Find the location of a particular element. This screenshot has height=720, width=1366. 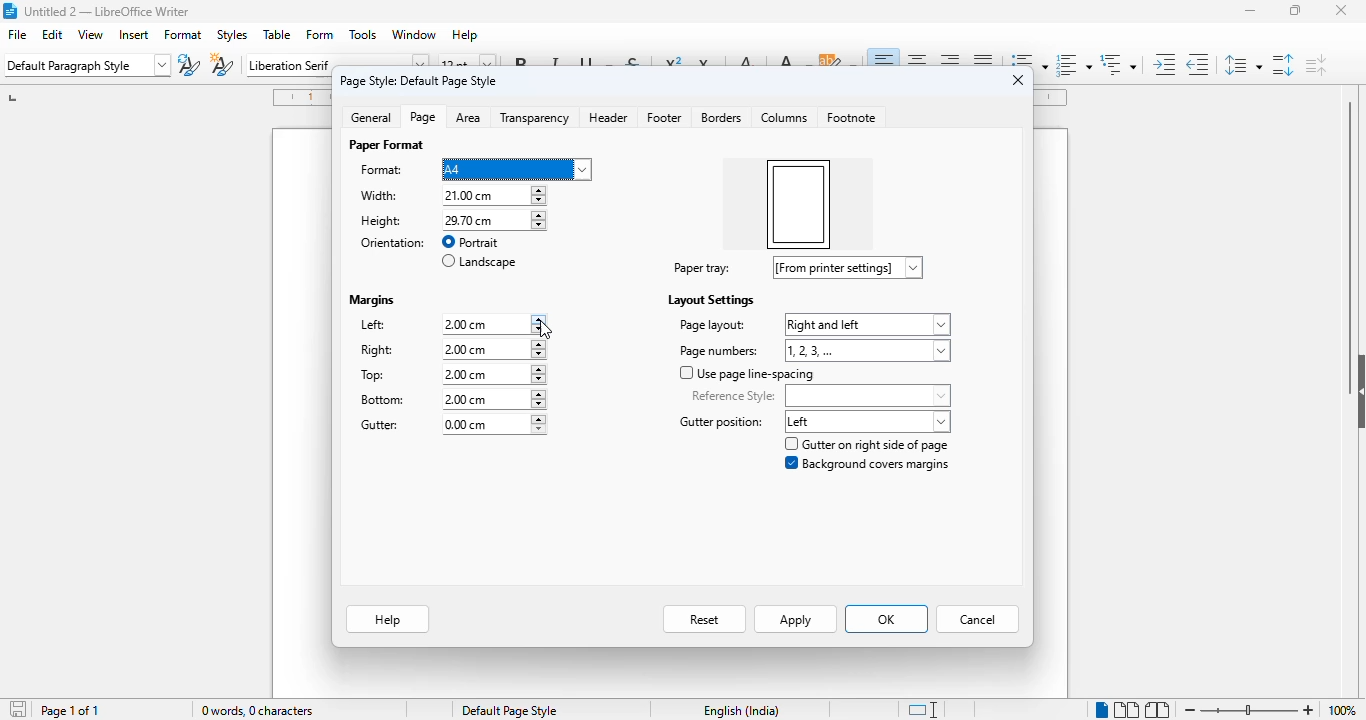

default page style is located at coordinates (509, 711).